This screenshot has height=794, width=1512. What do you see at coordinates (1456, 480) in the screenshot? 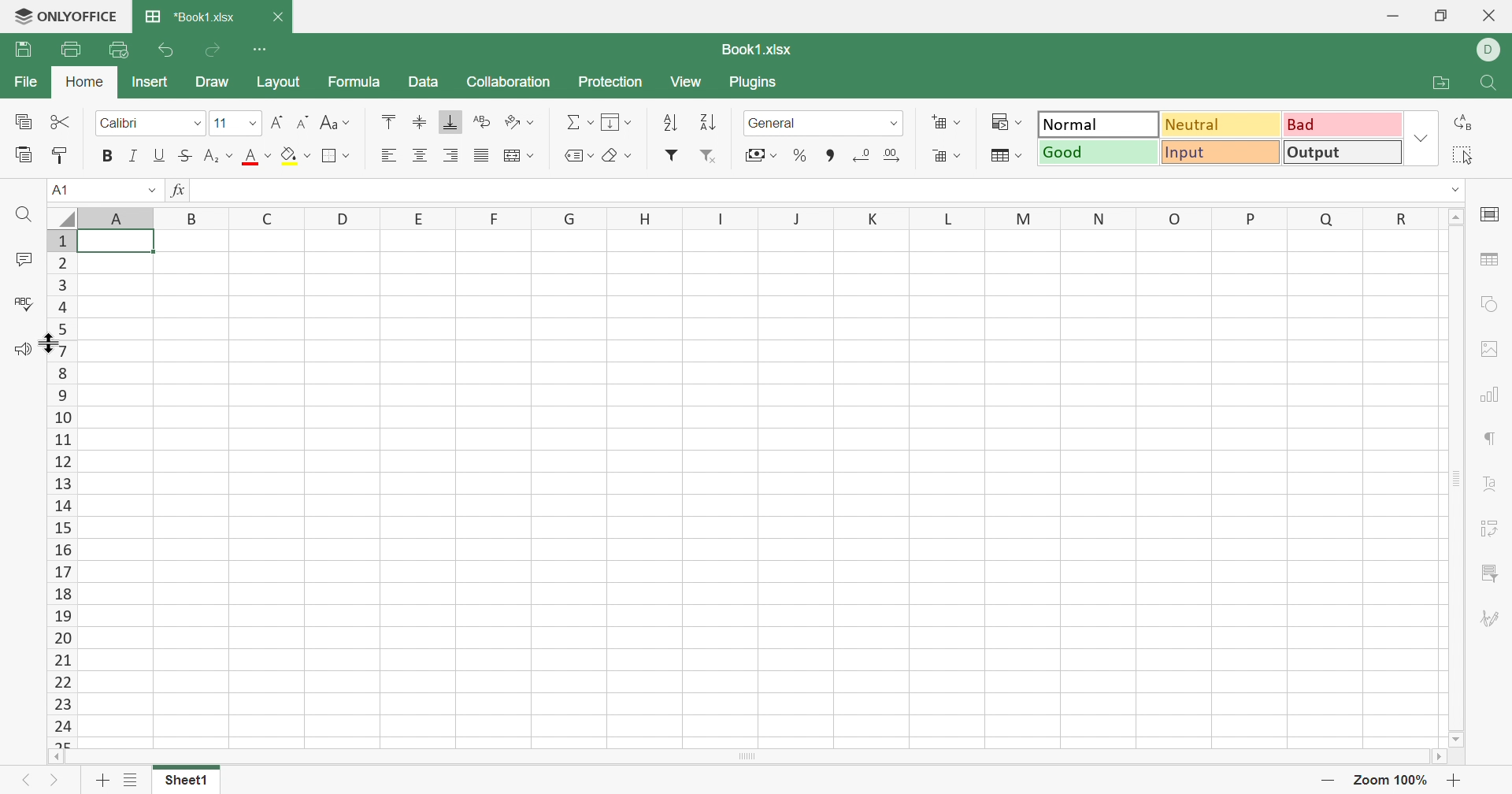
I see `Scroll Bar` at bounding box center [1456, 480].